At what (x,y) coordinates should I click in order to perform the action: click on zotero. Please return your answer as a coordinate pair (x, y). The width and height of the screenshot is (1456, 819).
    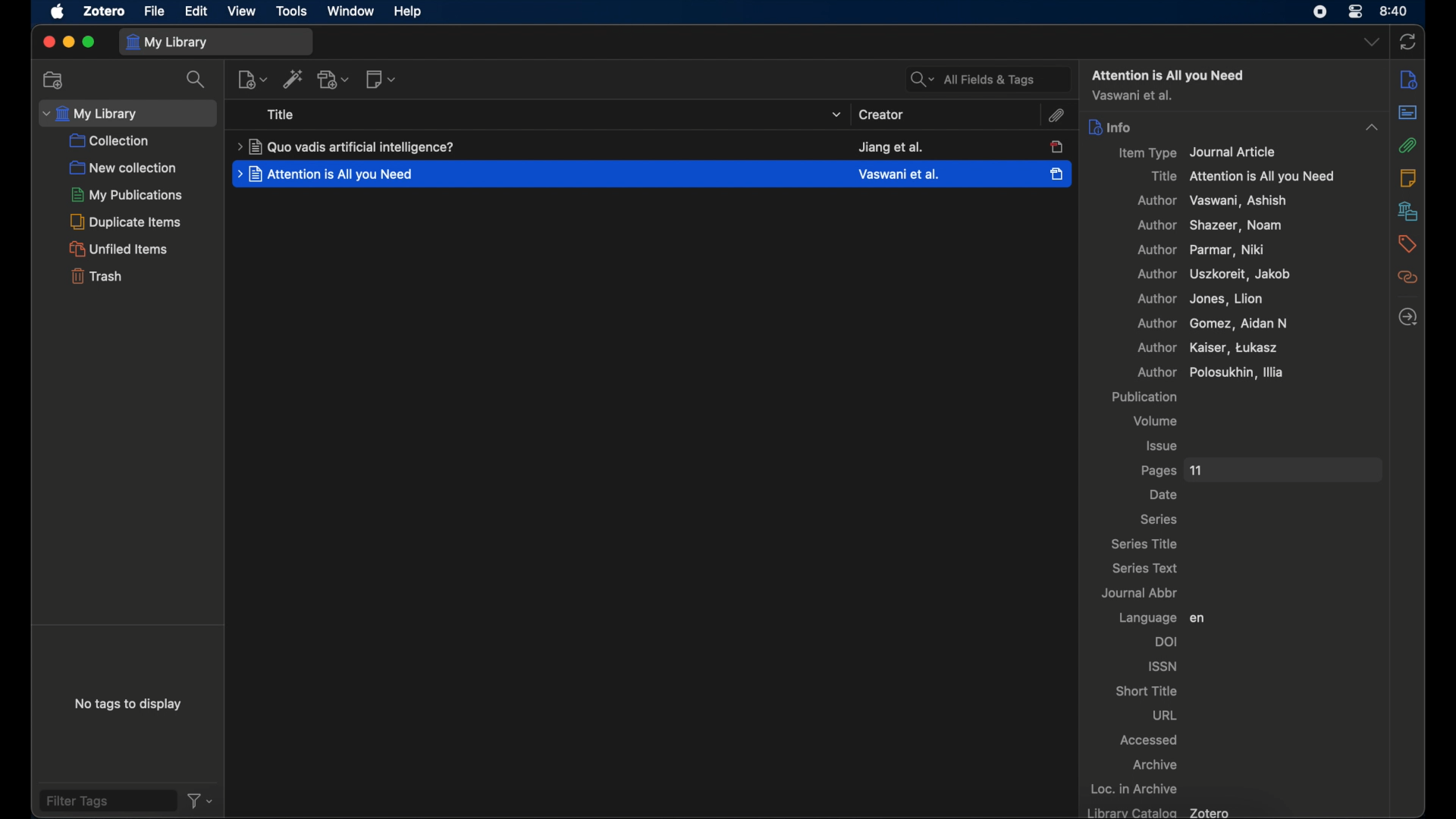
    Looking at the image, I should click on (105, 12).